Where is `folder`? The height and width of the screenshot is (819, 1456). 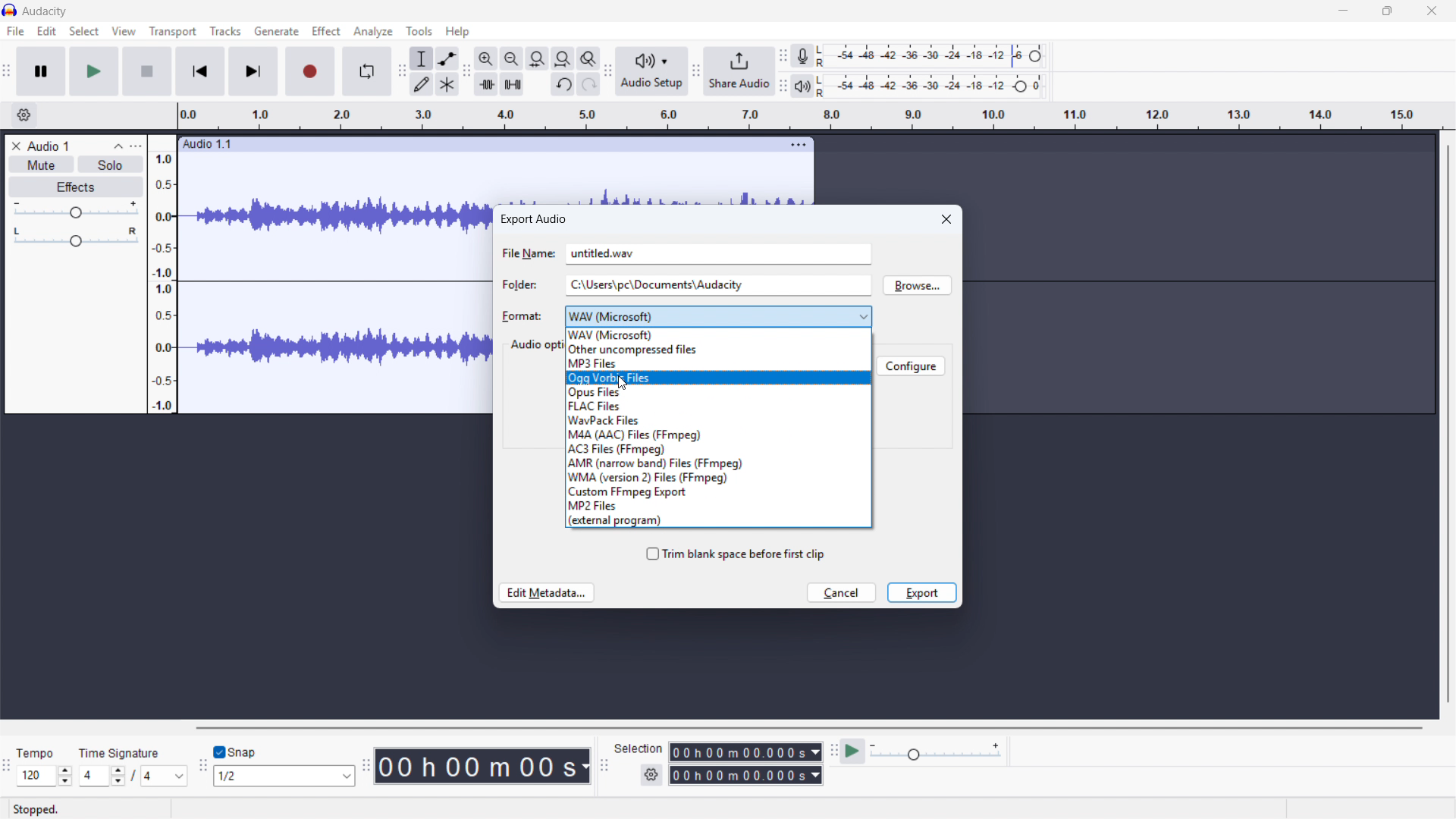
folder is located at coordinates (519, 287).